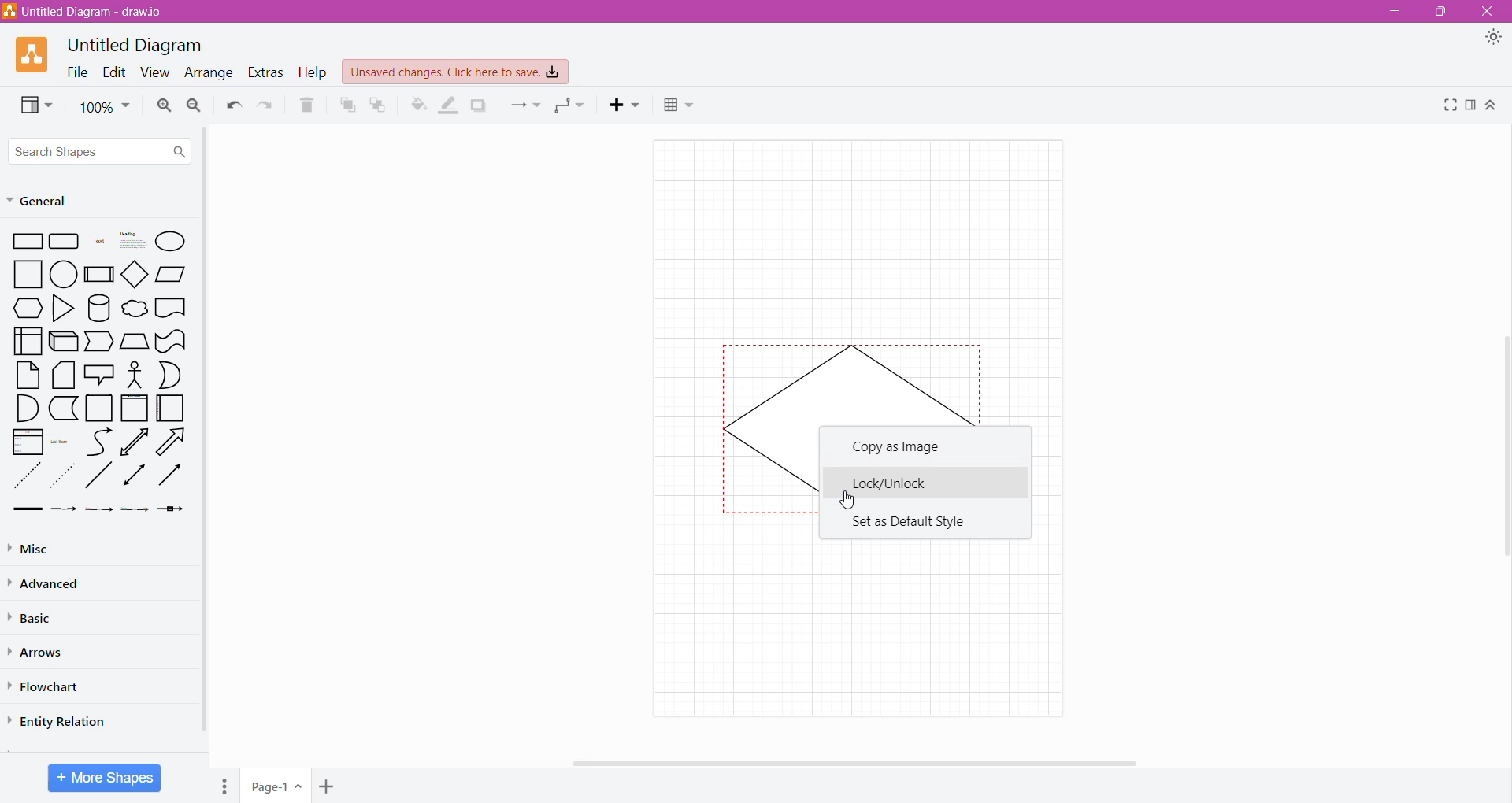  What do you see at coordinates (61, 310) in the screenshot?
I see `Triangle` at bounding box center [61, 310].